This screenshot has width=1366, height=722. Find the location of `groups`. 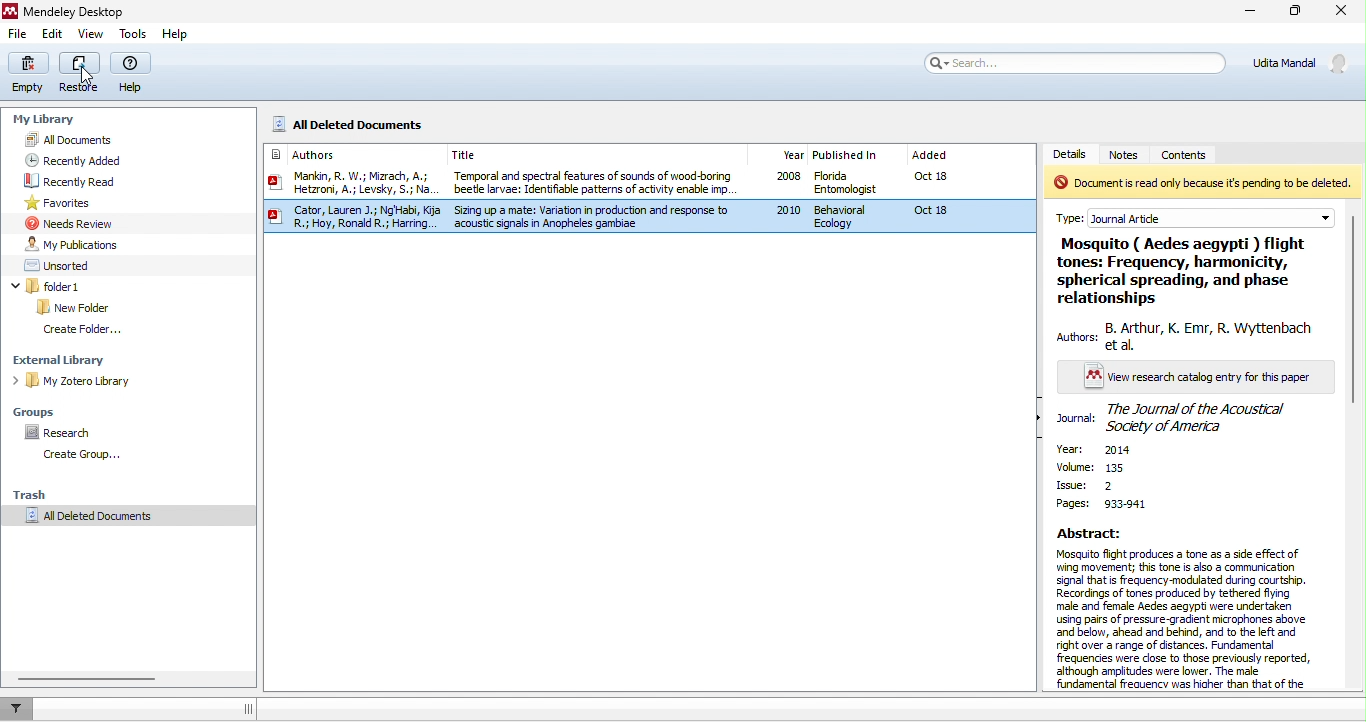

groups is located at coordinates (38, 409).